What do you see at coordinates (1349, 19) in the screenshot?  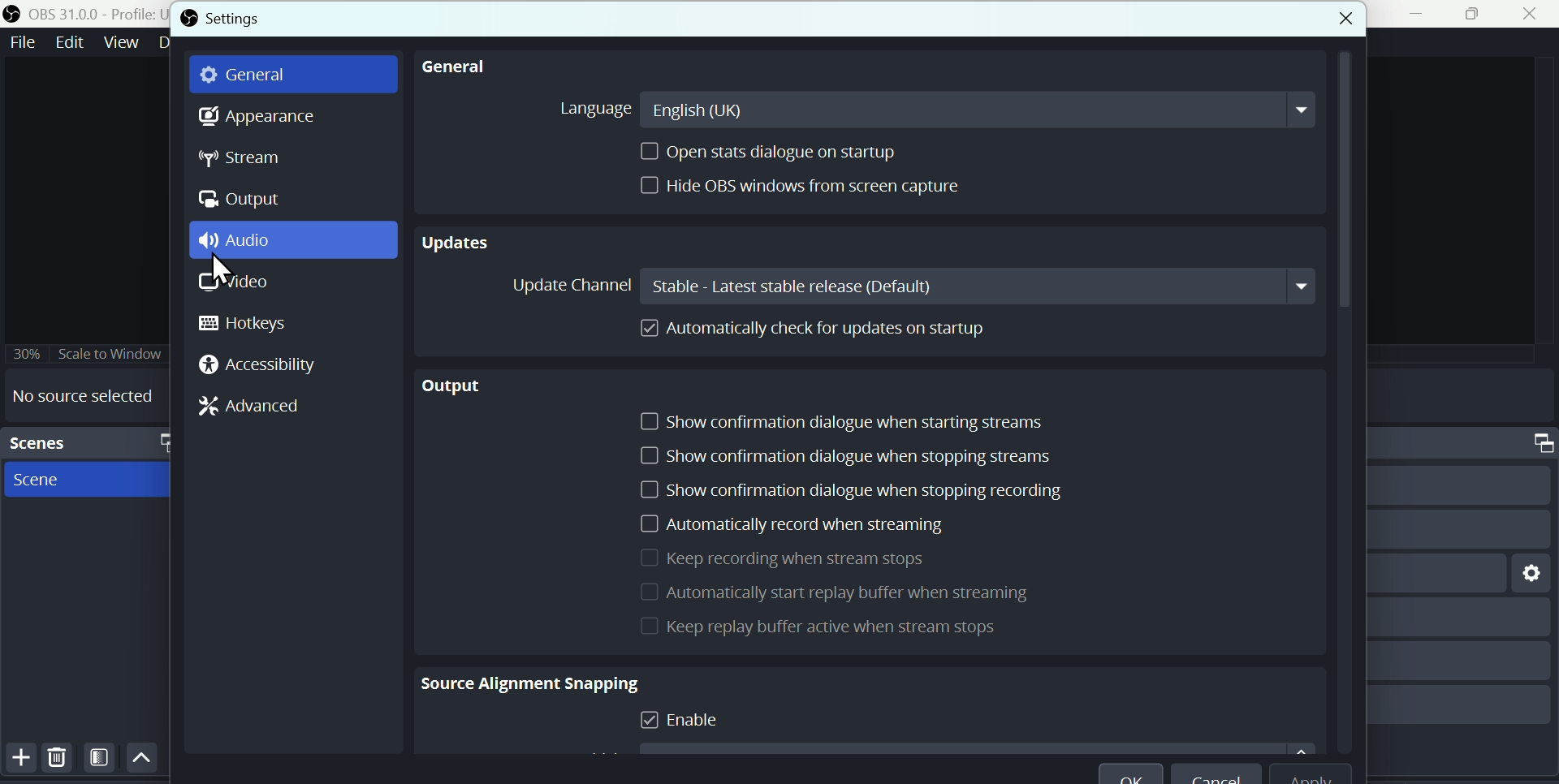 I see `` at bounding box center [1349, 19].